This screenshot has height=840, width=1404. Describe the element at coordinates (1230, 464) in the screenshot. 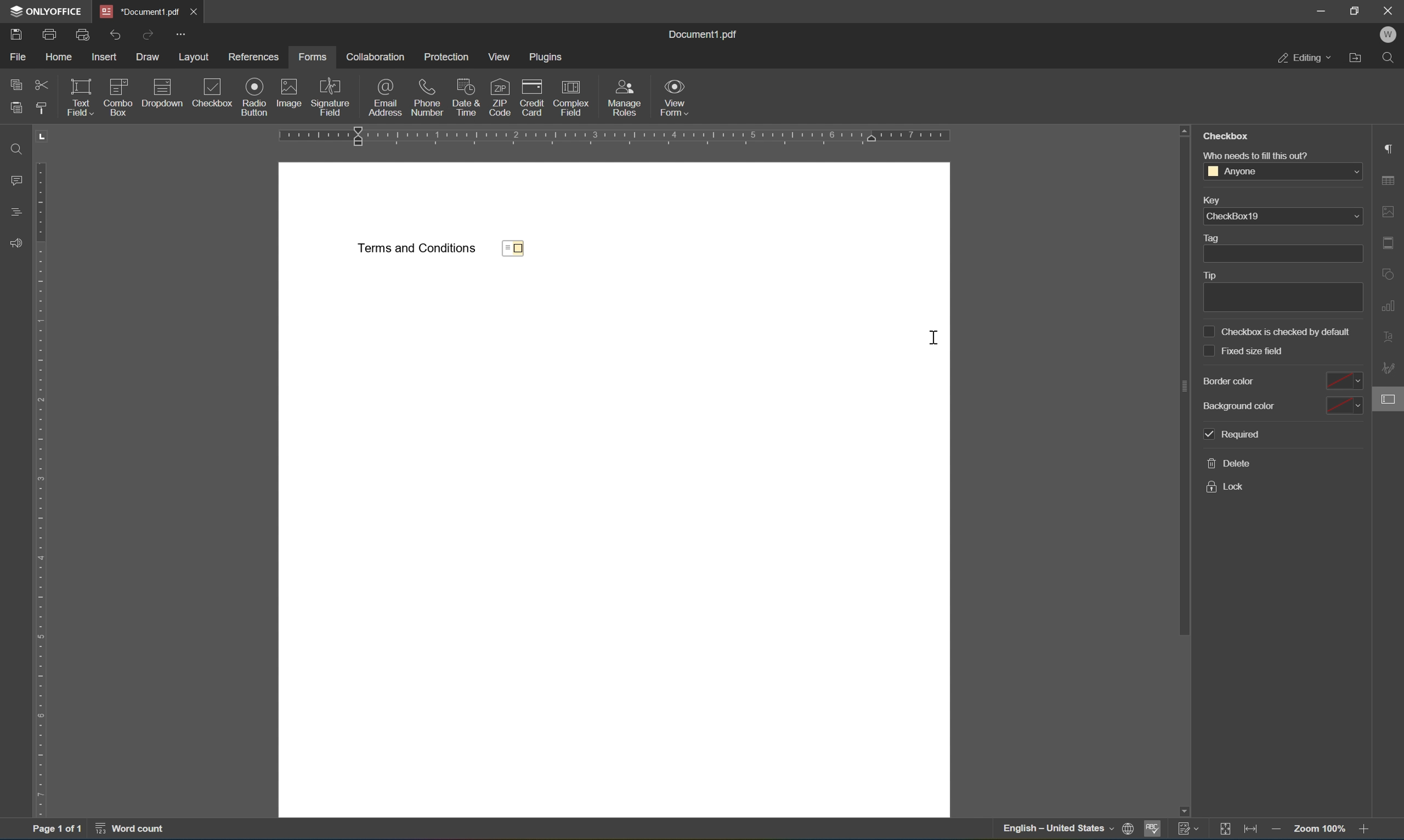

I see `delete` at that location.